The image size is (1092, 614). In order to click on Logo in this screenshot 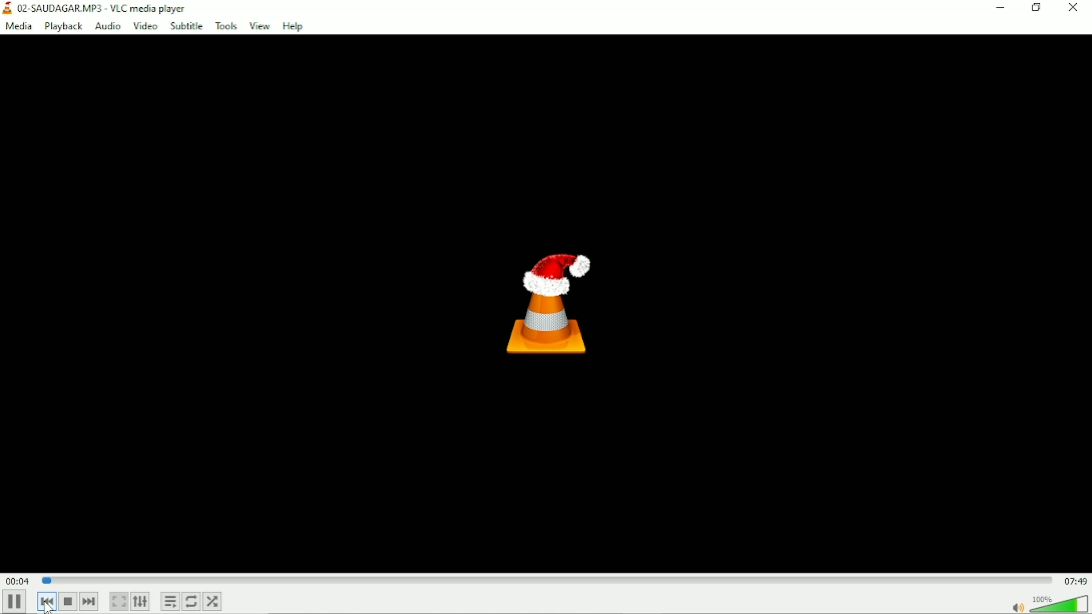, I will do `click(547, 300)`.